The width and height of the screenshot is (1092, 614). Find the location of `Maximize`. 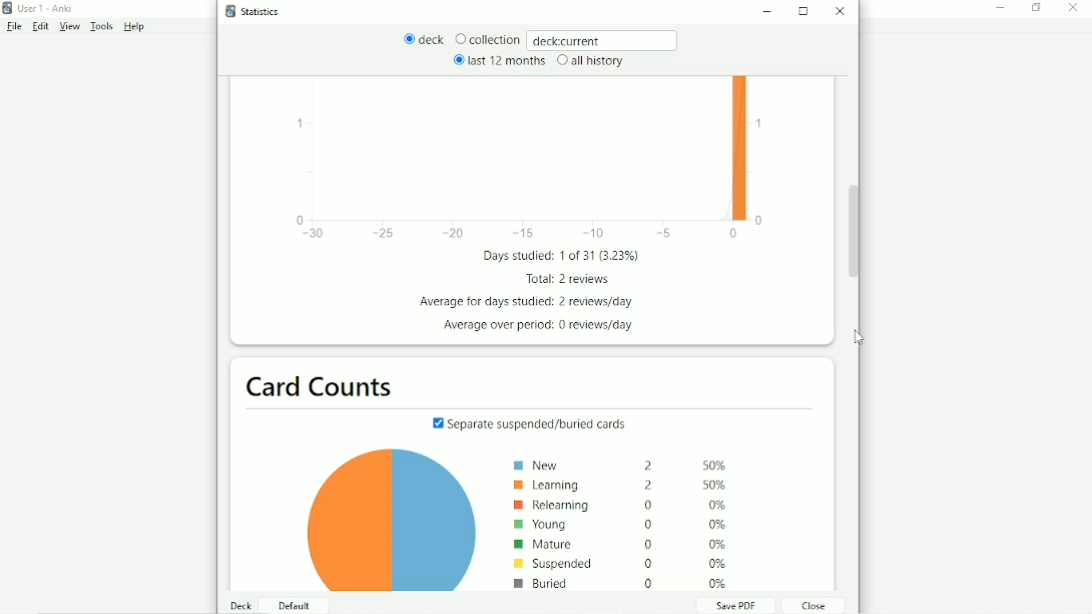

Maximize is located at coordinates (805, 11).